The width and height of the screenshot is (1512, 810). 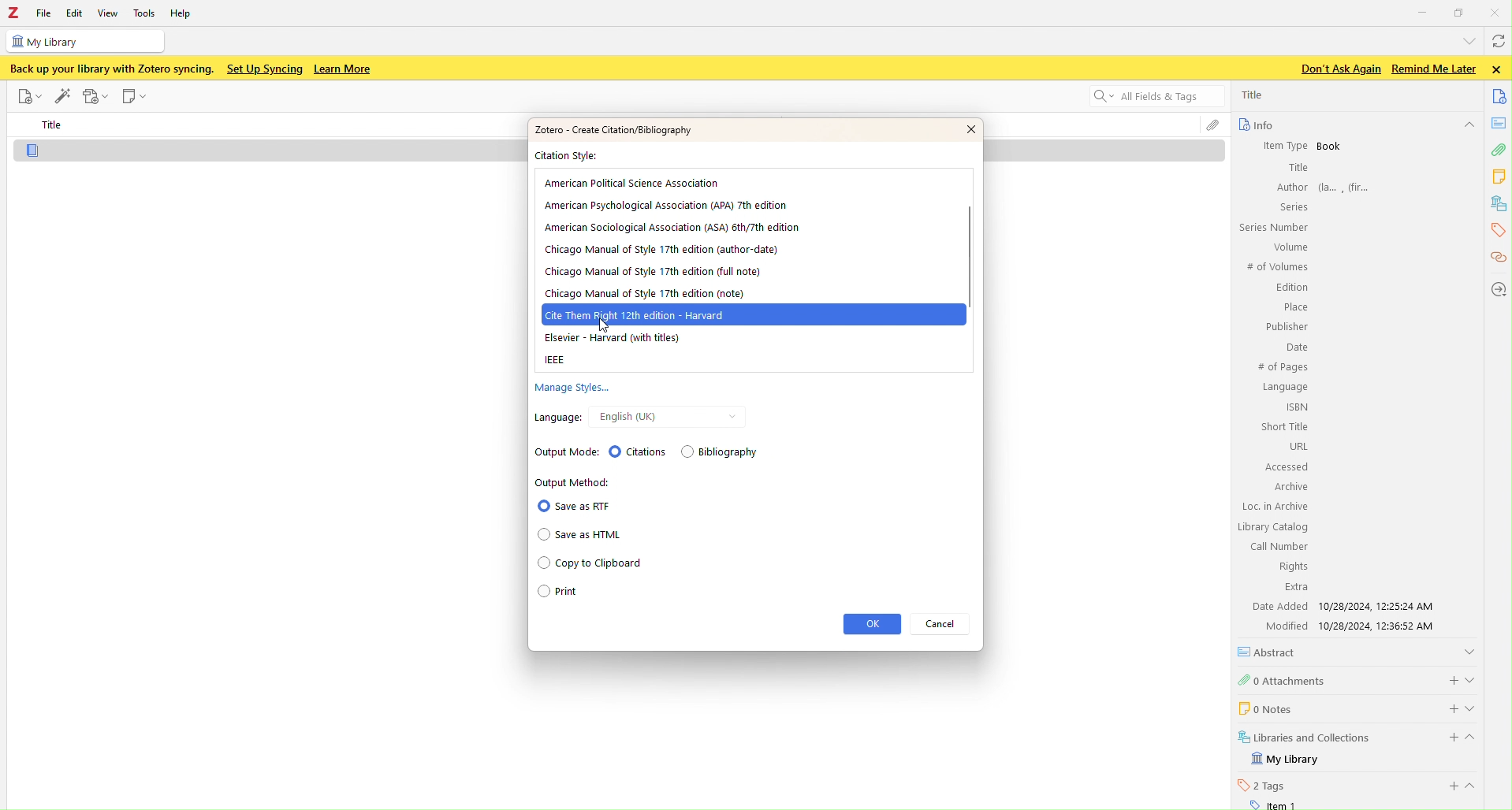 I want to click on Place, so click(x=1294, y=307).